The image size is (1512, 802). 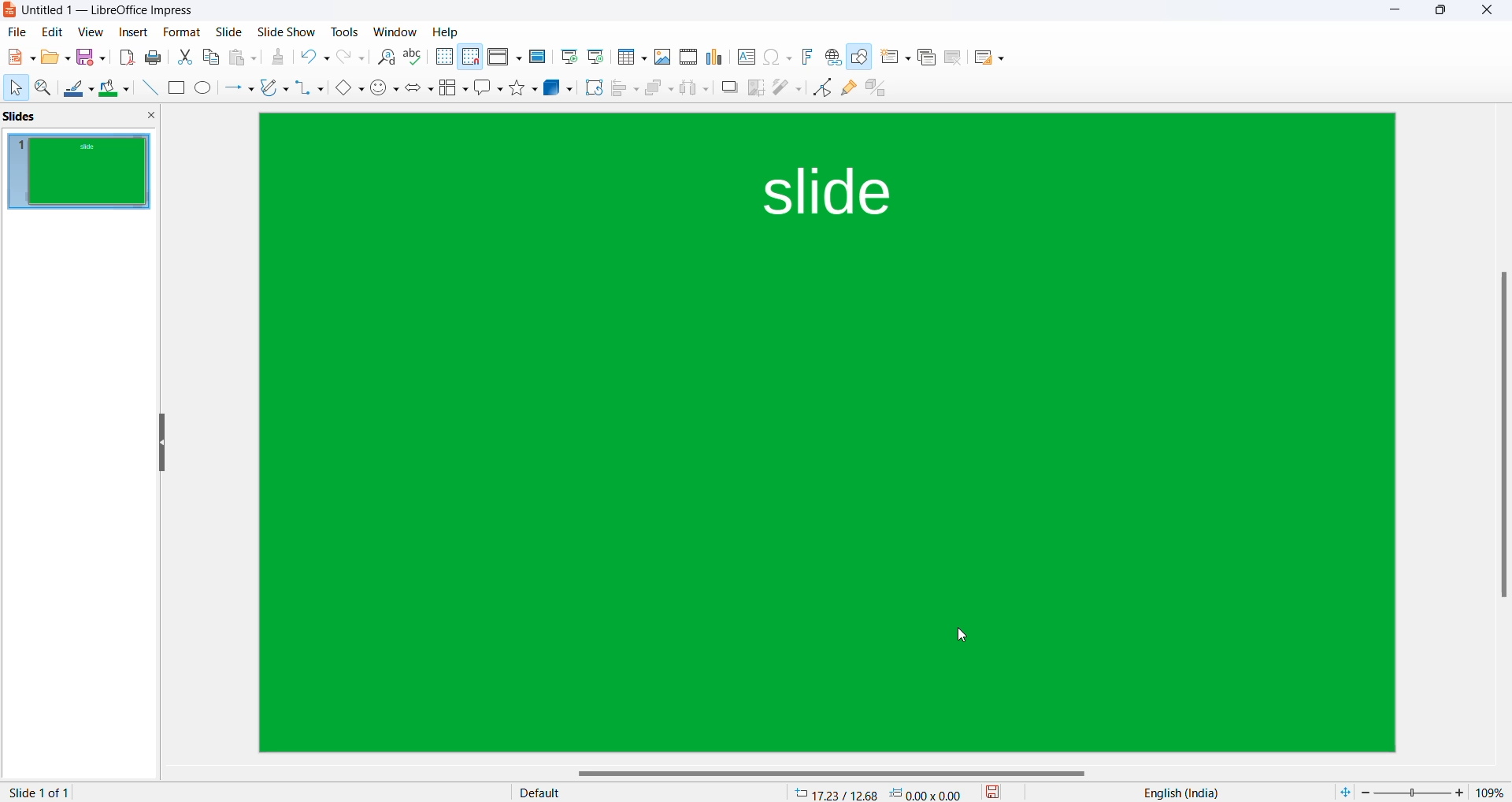 What do you see at coordinates (126, 57) in the screenshot?
I see `export as pdf ` at bounding box center [126, 57].